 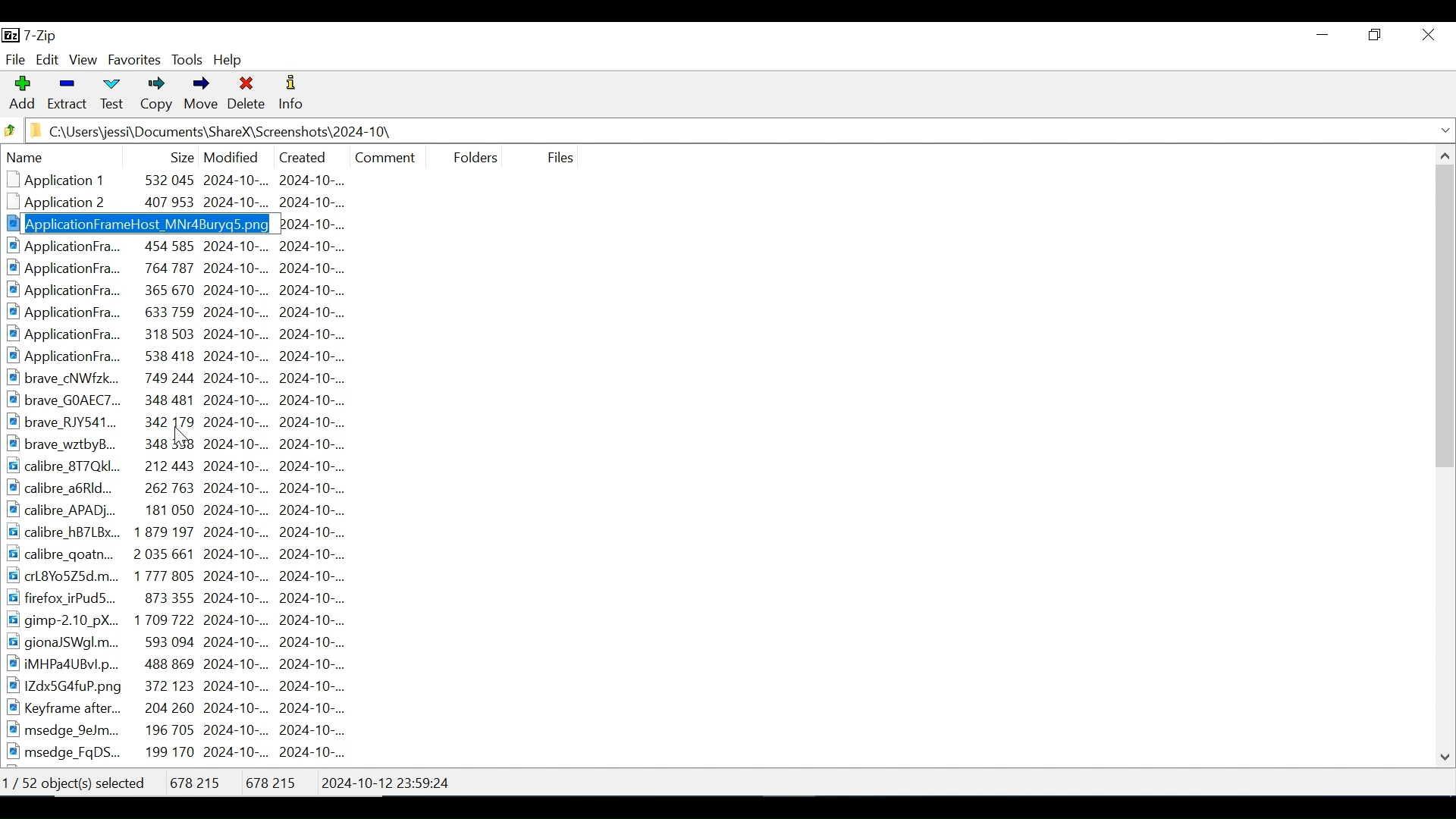 I want to click on Applicationfra.. ~~ 764 787 2024-10-.. 2024-10-.., so click(x=183, y=268).